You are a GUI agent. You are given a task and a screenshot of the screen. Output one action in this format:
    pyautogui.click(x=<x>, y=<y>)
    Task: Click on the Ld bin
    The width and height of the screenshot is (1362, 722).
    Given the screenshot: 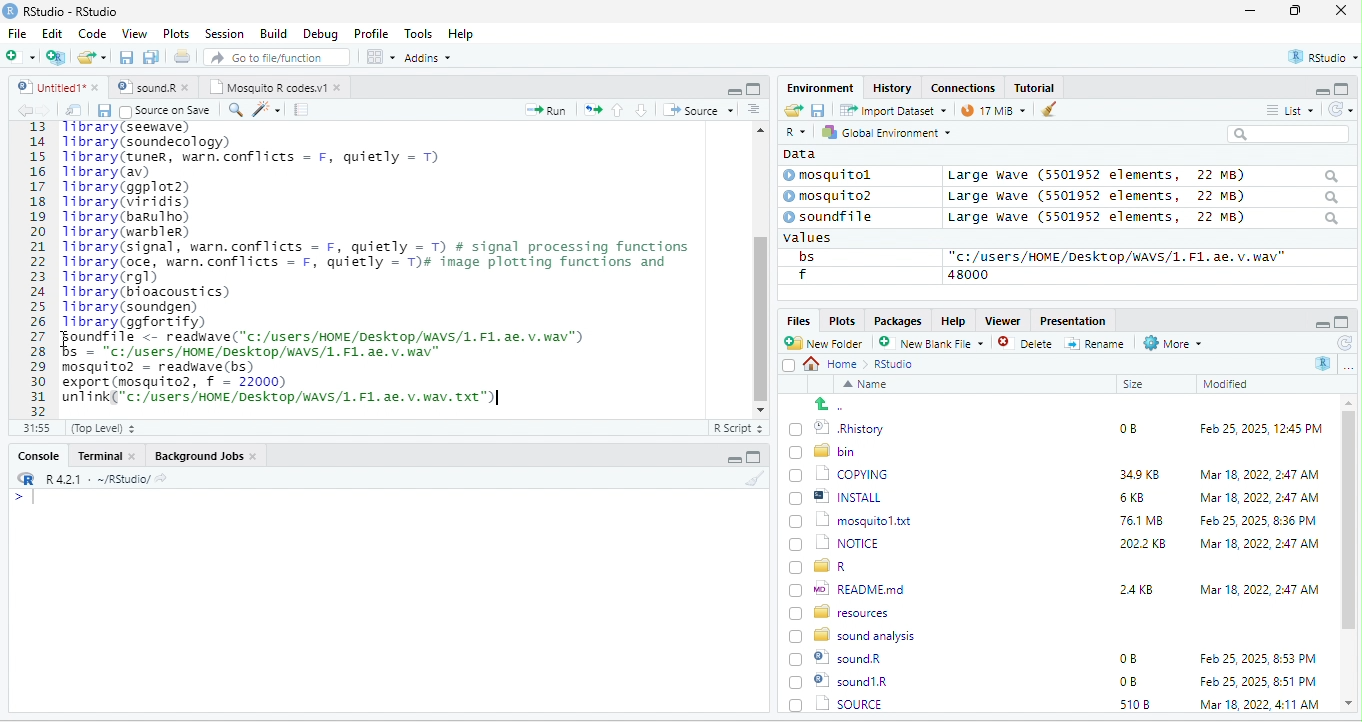 What is the action you would take?
    pyautogui.click(x=825, y=450)
    